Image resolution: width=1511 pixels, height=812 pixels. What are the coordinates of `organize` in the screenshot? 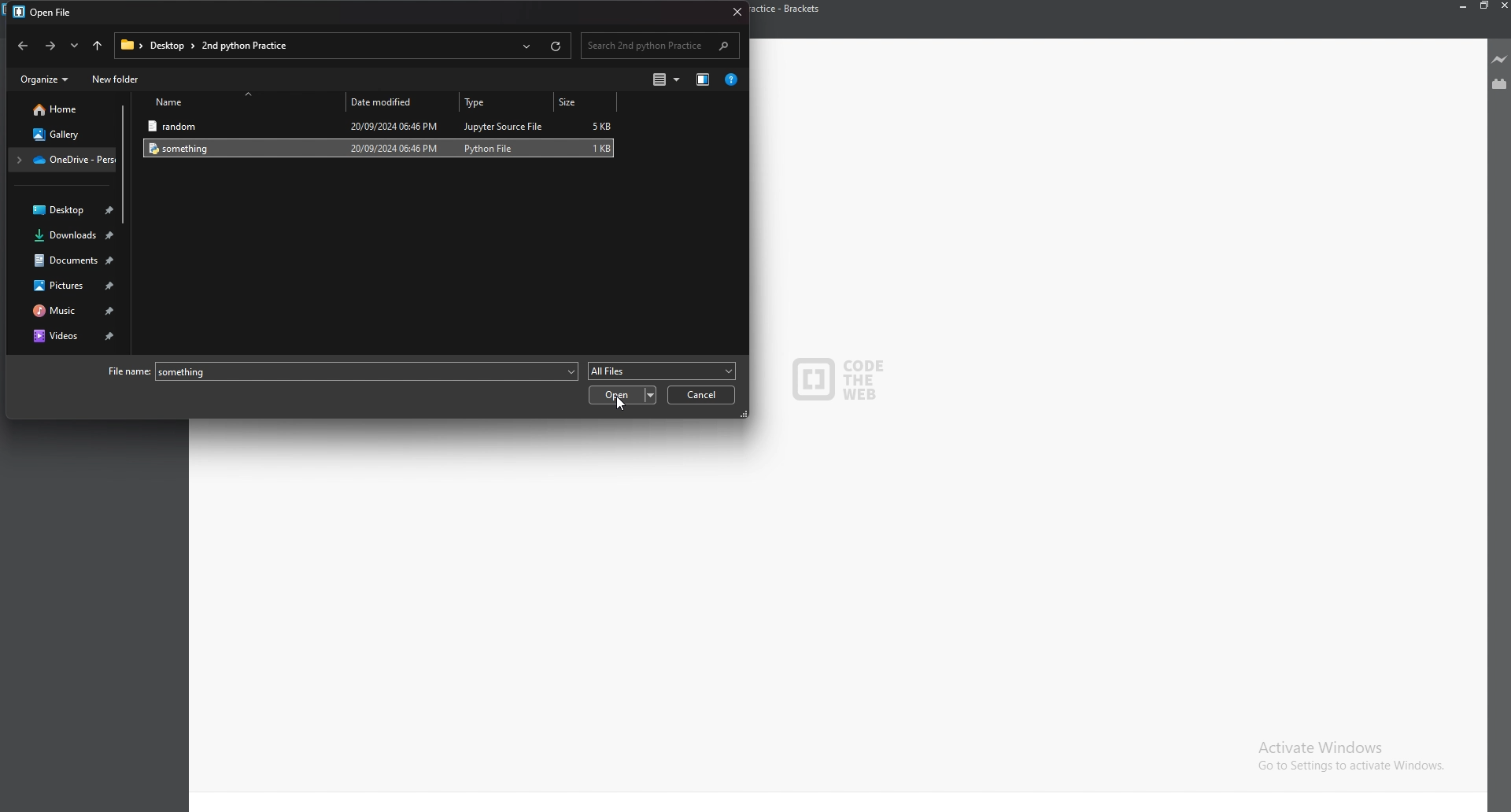 It's located at (46, 79).